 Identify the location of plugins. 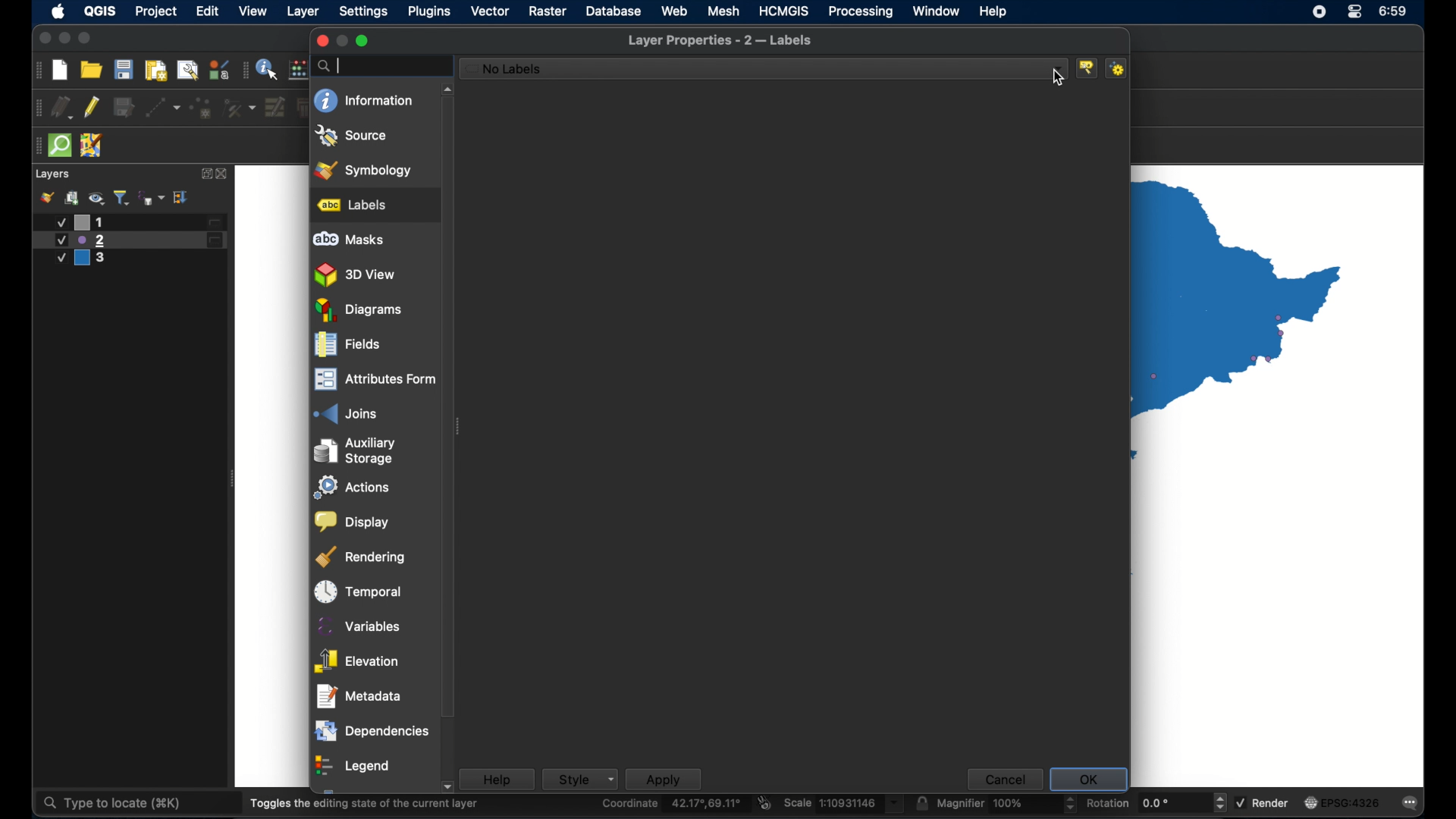
(430, 11).